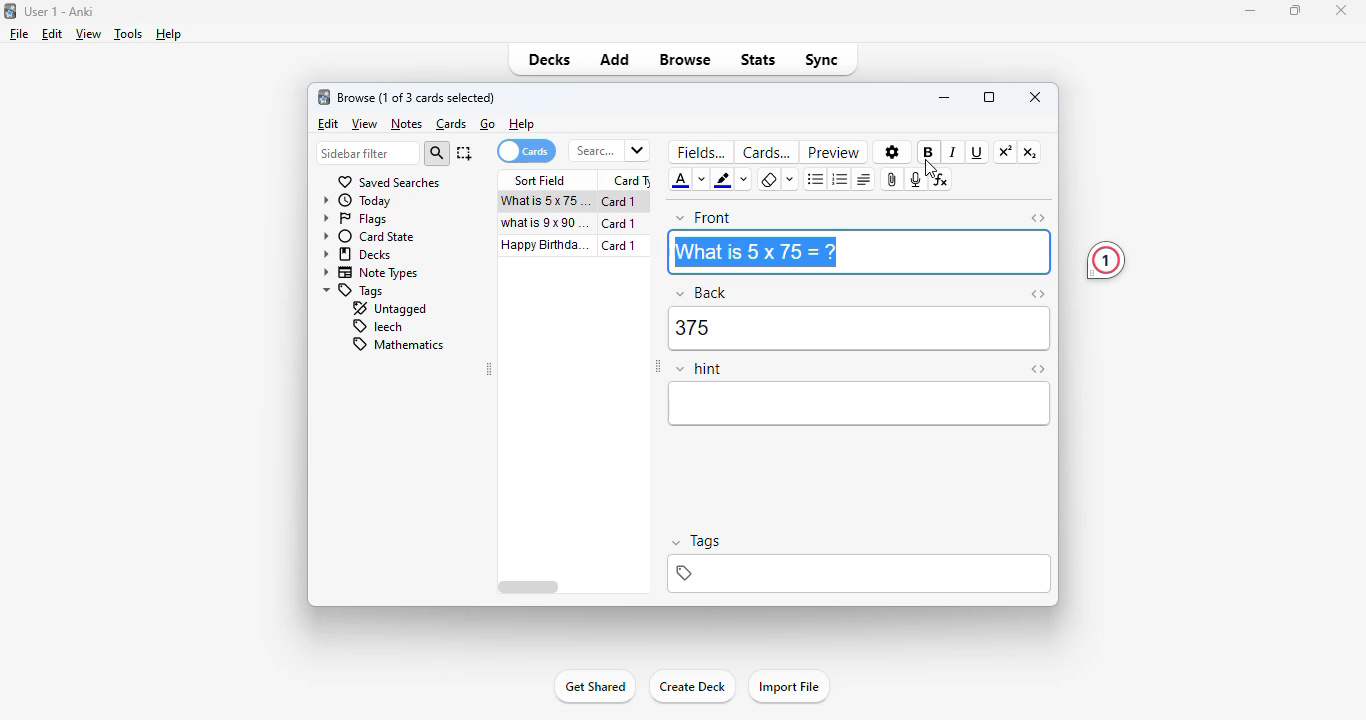 The height and width of the screenshot is (720, 1366). What do you see at coordinates (789, 686) in the screenshot?
I see `import file` at bounding box center [789, 686].